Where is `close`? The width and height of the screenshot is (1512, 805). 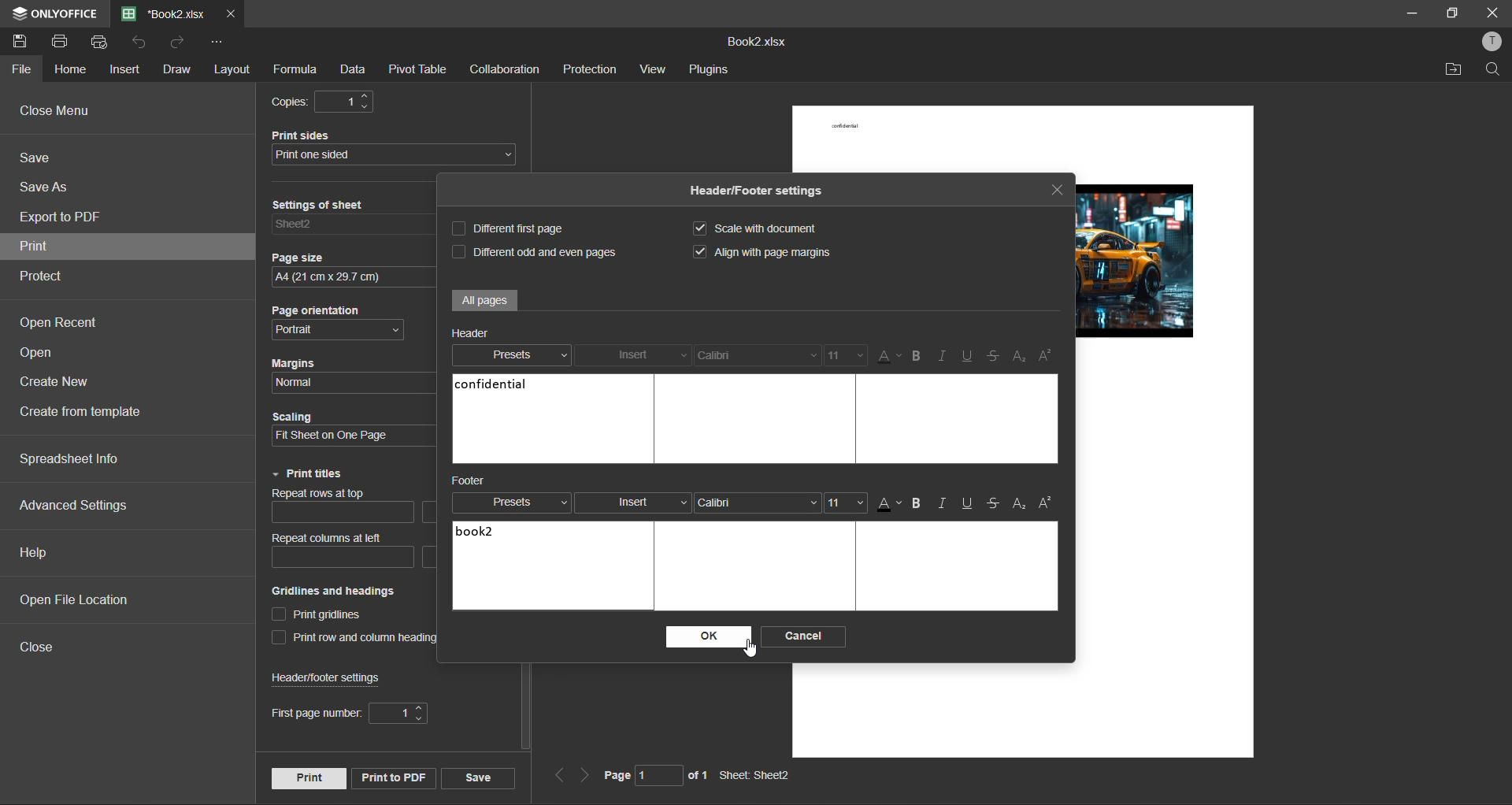 close is located at coordinates (1492, 13).